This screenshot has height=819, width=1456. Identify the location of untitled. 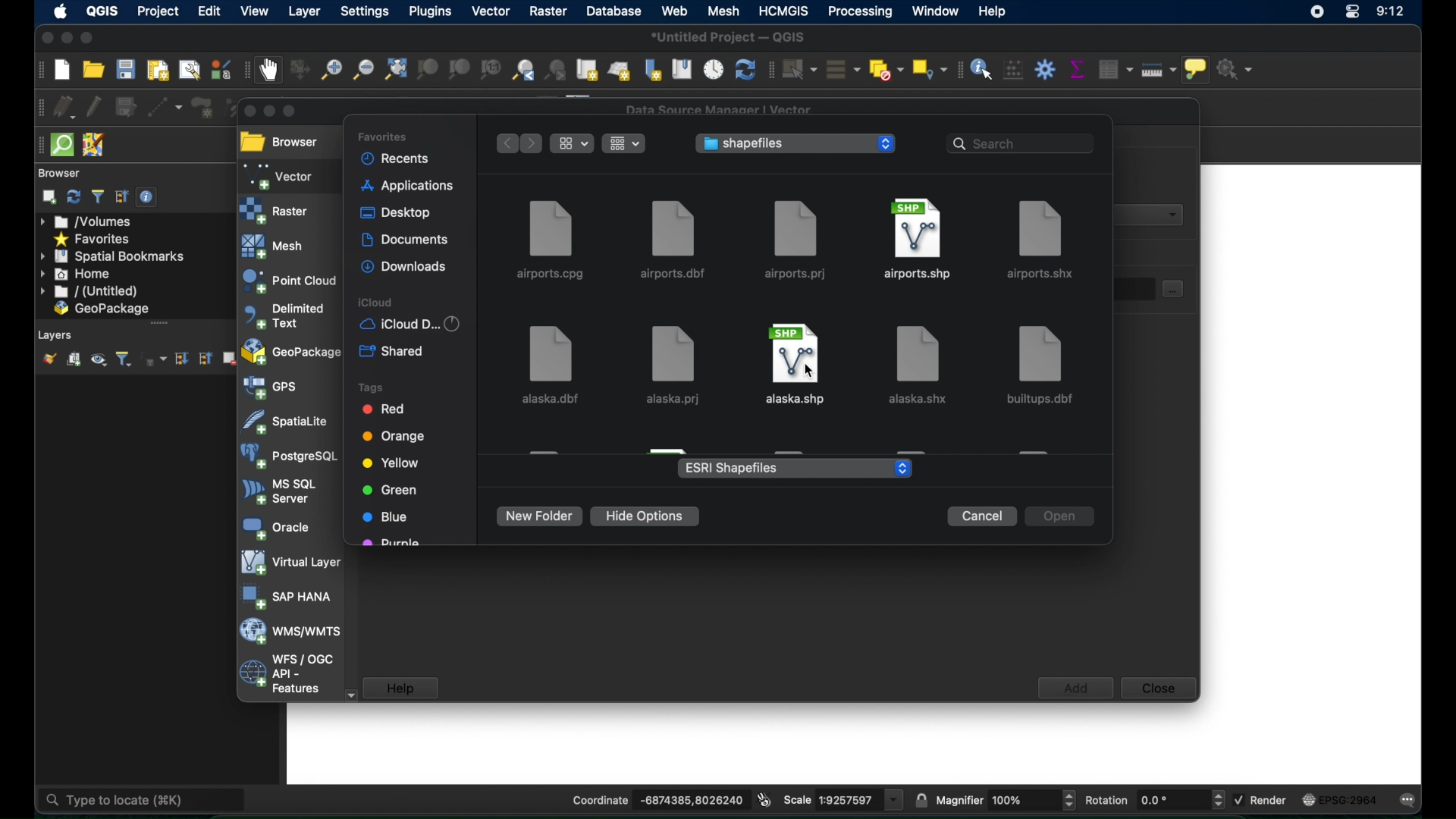
(89, 292).